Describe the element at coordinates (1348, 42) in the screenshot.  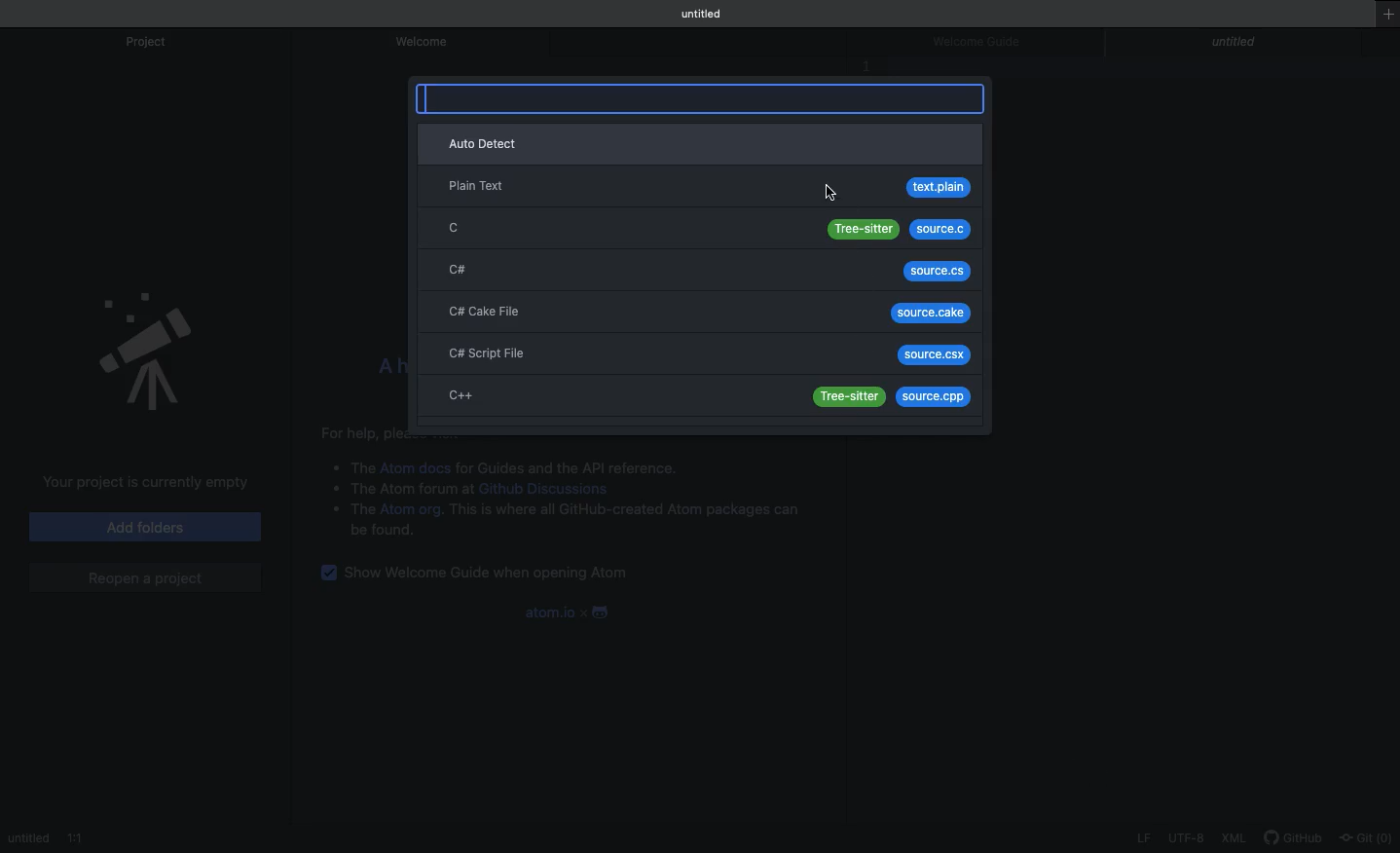
I see `Close` at that location.